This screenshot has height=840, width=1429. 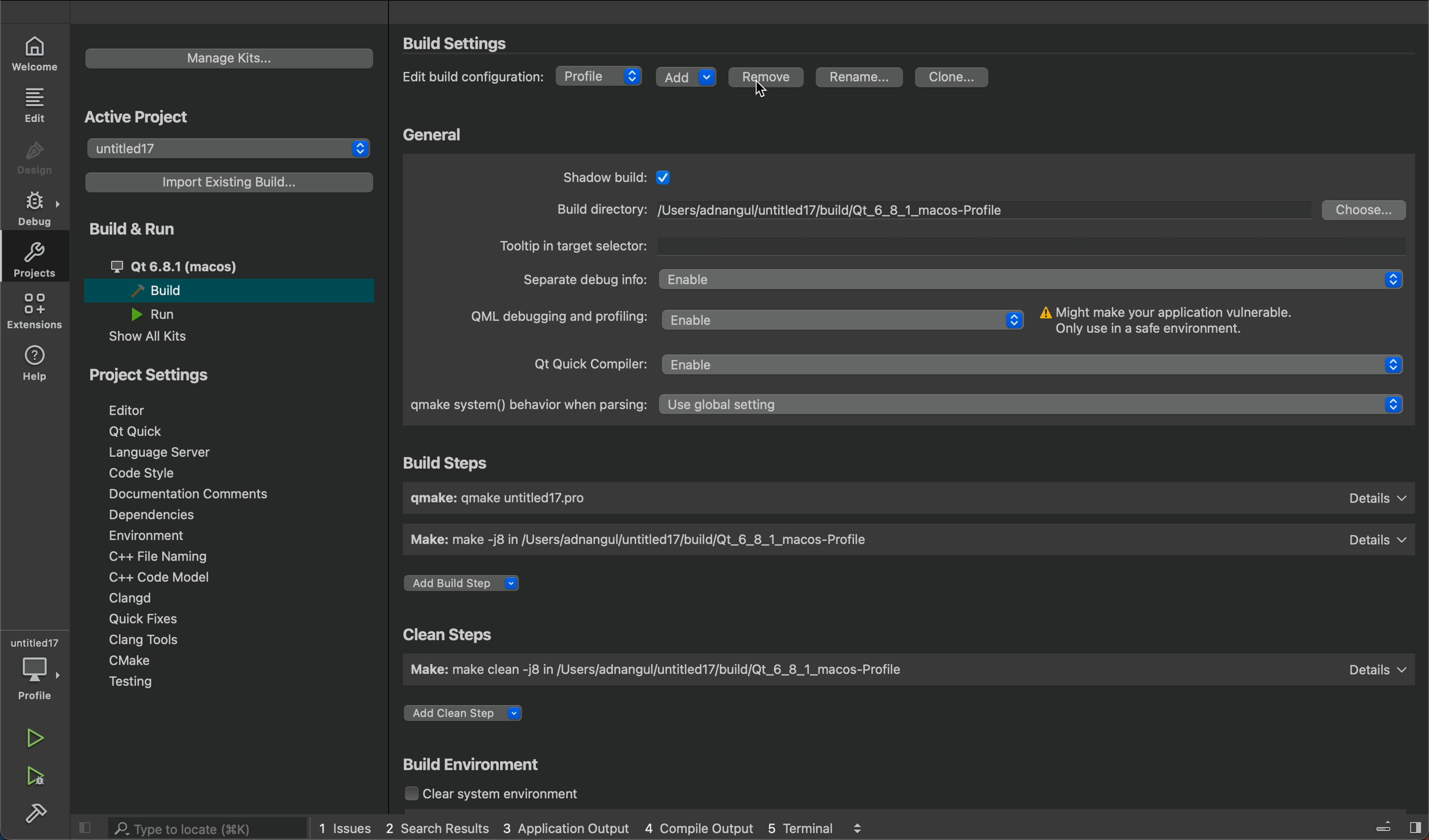 I want to click on clean step, so click(x=658, y=671).